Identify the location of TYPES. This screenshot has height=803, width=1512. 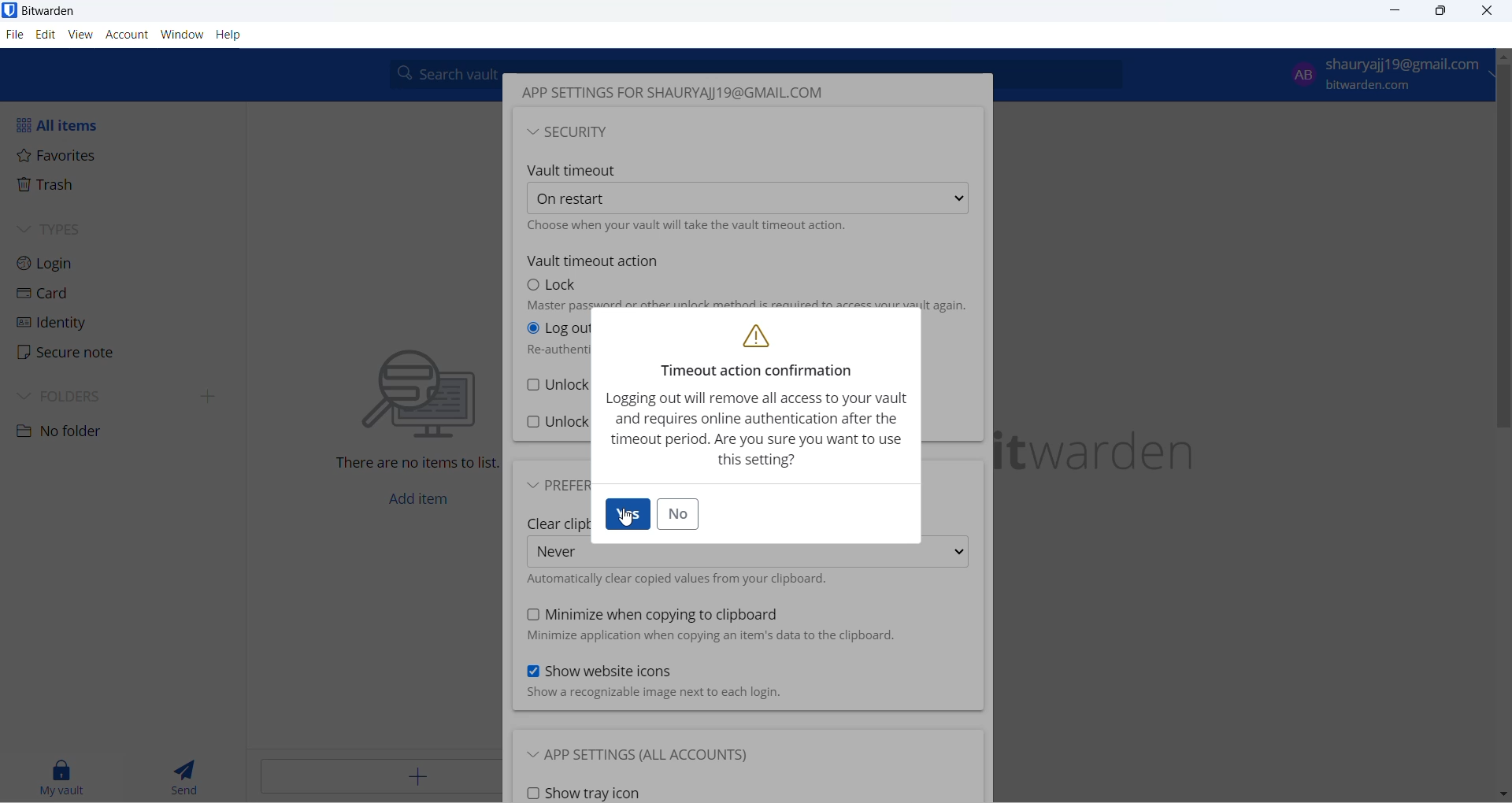
(61, 229).